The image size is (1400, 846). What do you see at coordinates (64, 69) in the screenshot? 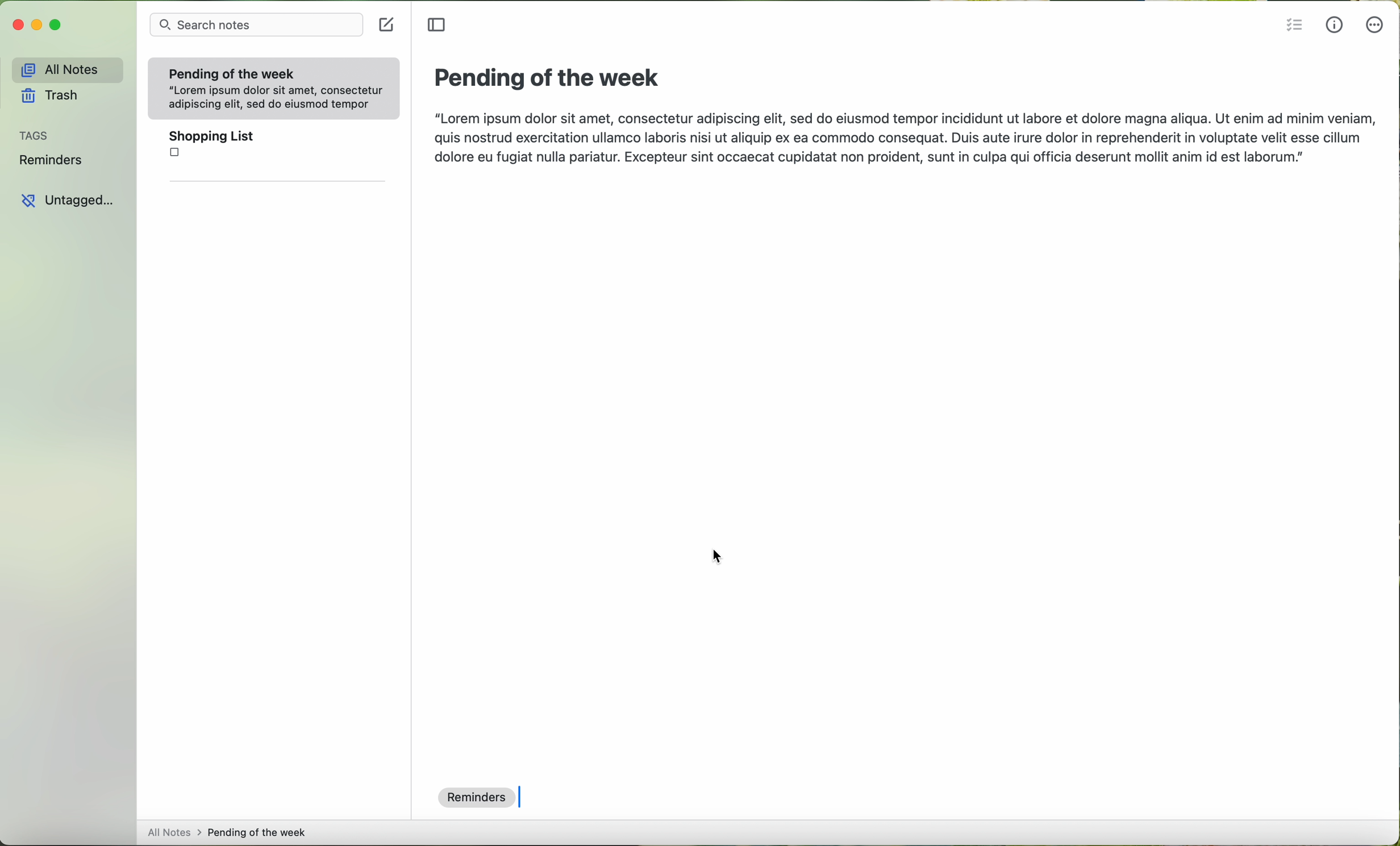
I see `all notes` at bounding box center [64, 69].